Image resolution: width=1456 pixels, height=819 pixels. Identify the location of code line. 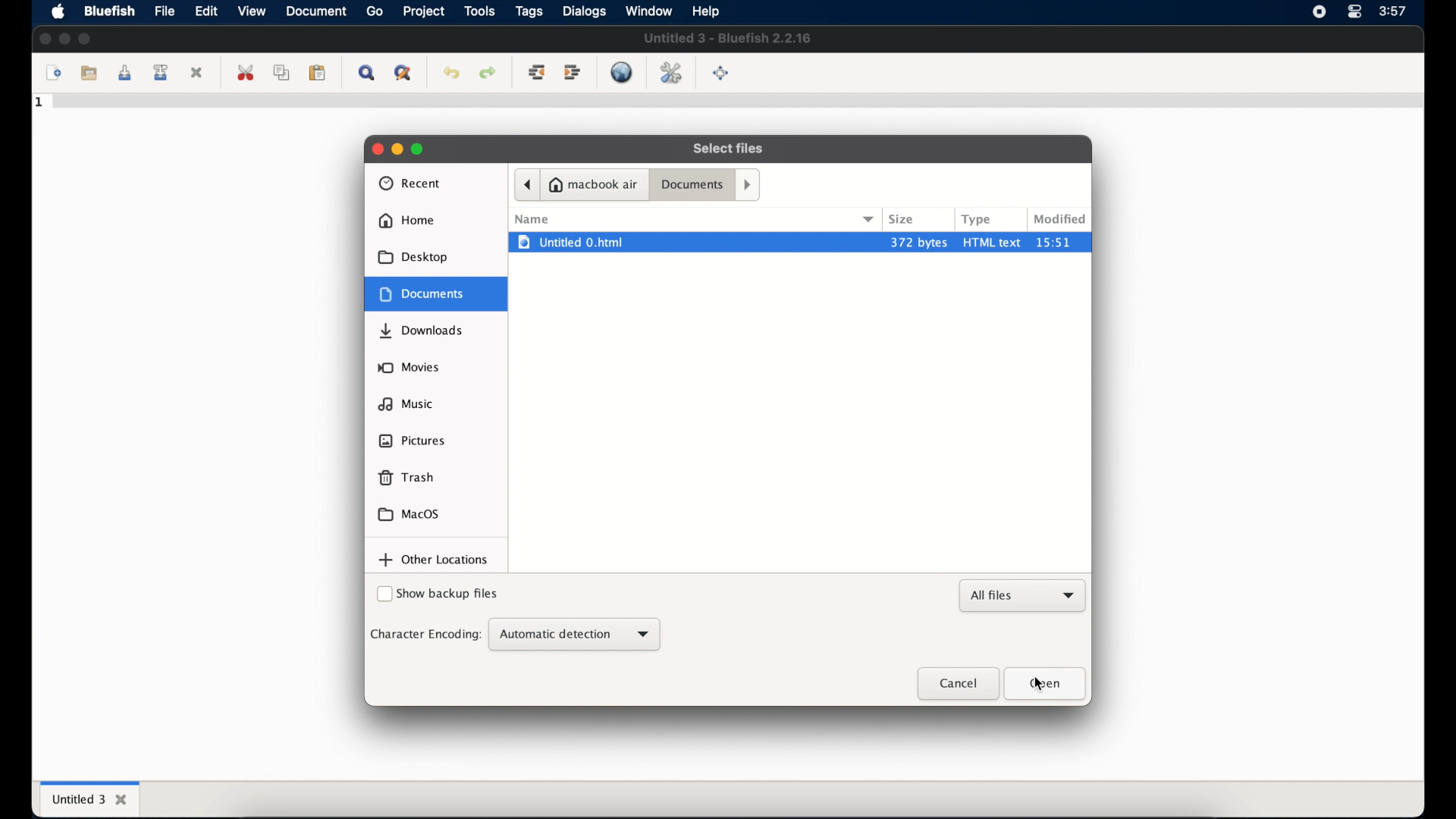
(736, 104).